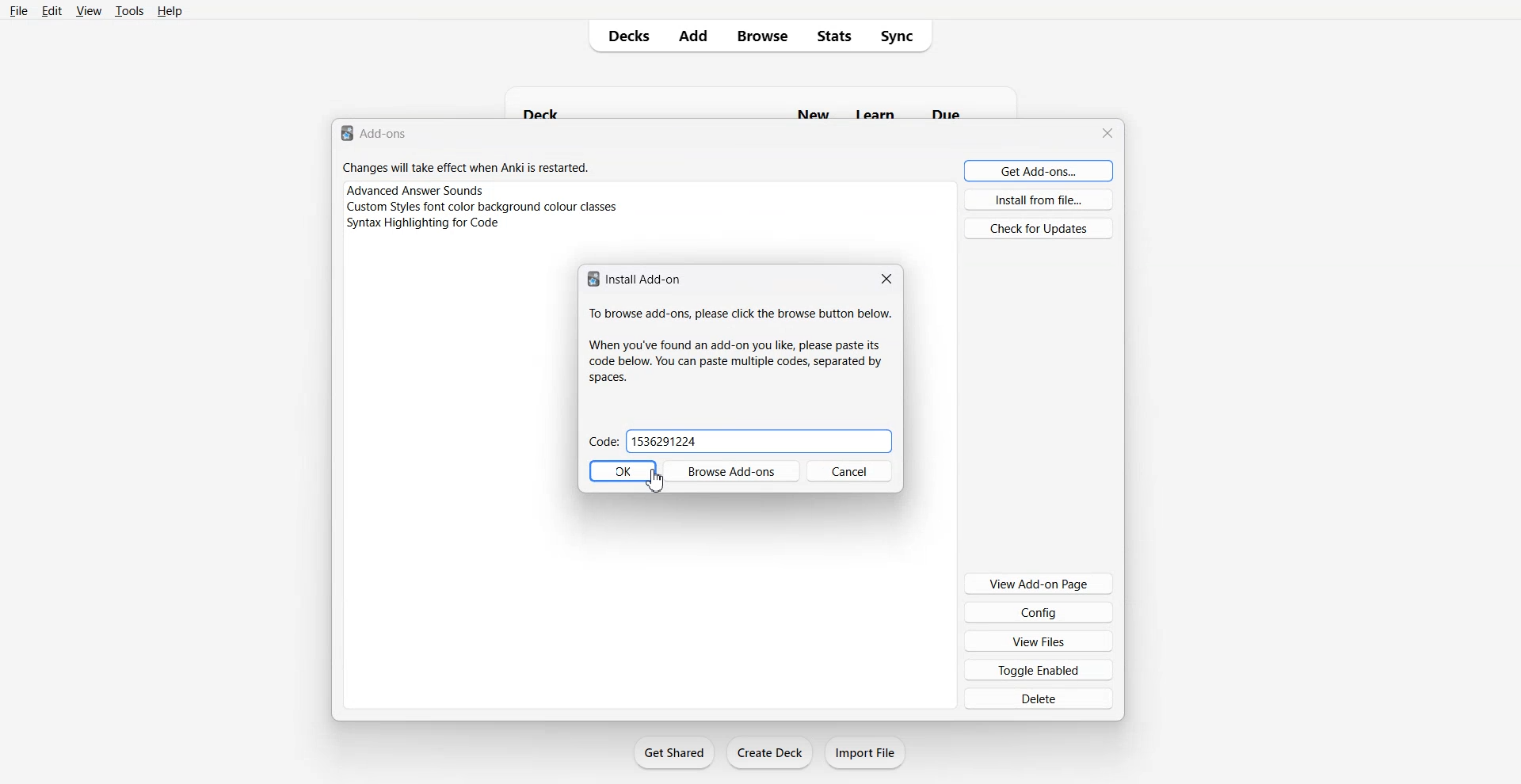  Describe the element at coordinates (833, 36) in the screenshot. I see `Stats` at that location.